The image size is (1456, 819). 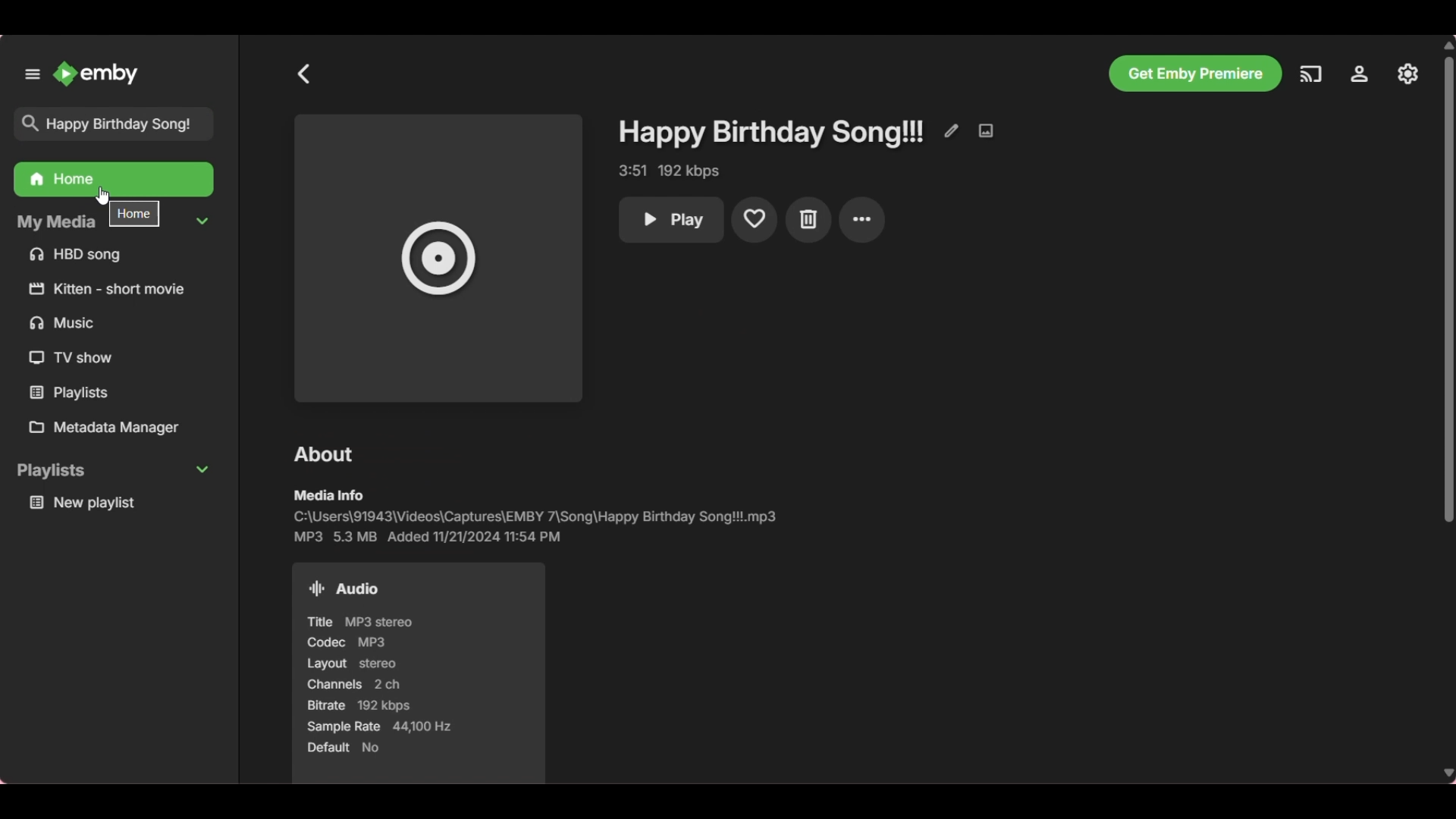 I want to click on Delete, so click(x=809, y=221).